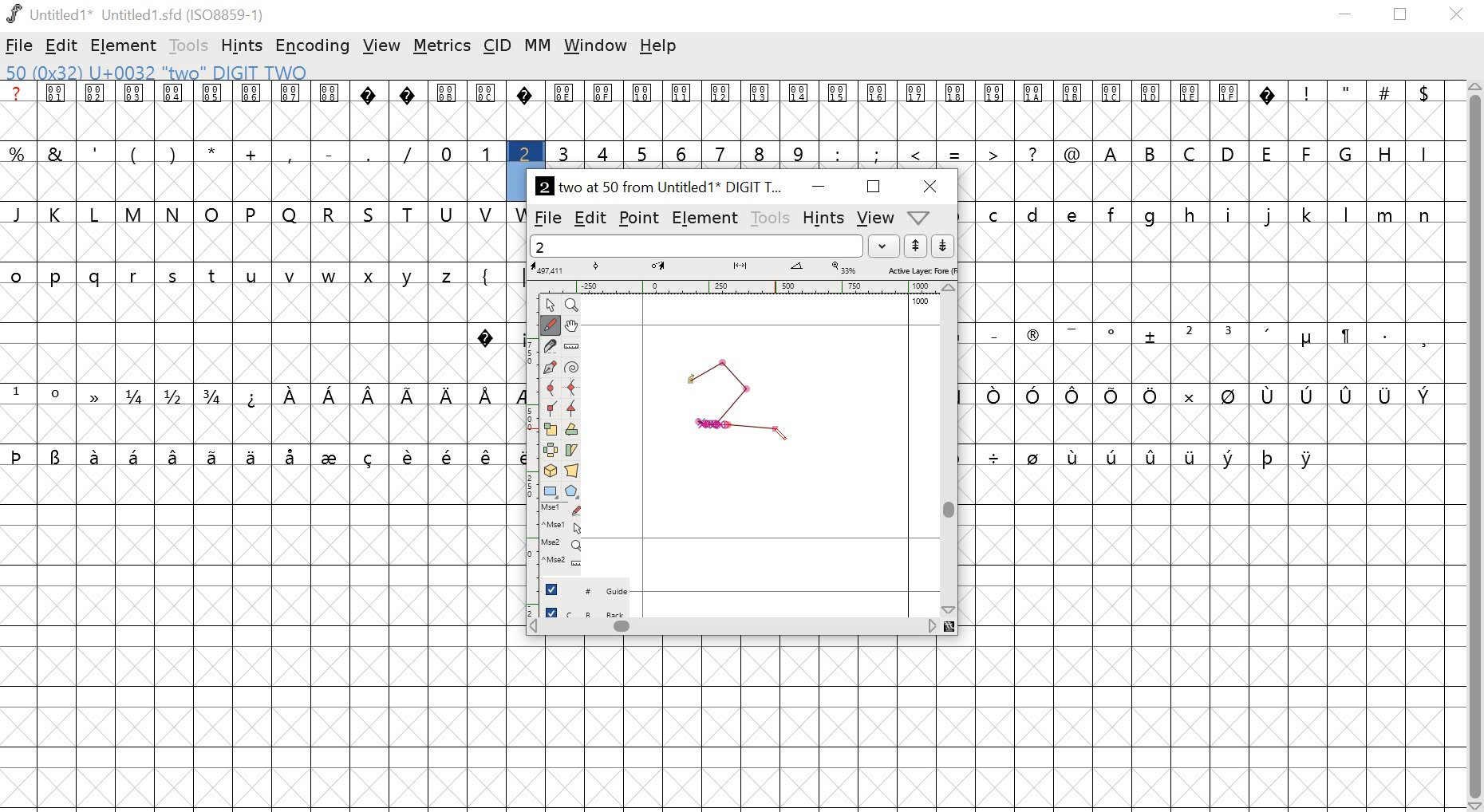 The width and height of the screenshot is (1484, 812). Describe the element at coordinates (242, 46) in the screenshot. I see `hints` at that location.